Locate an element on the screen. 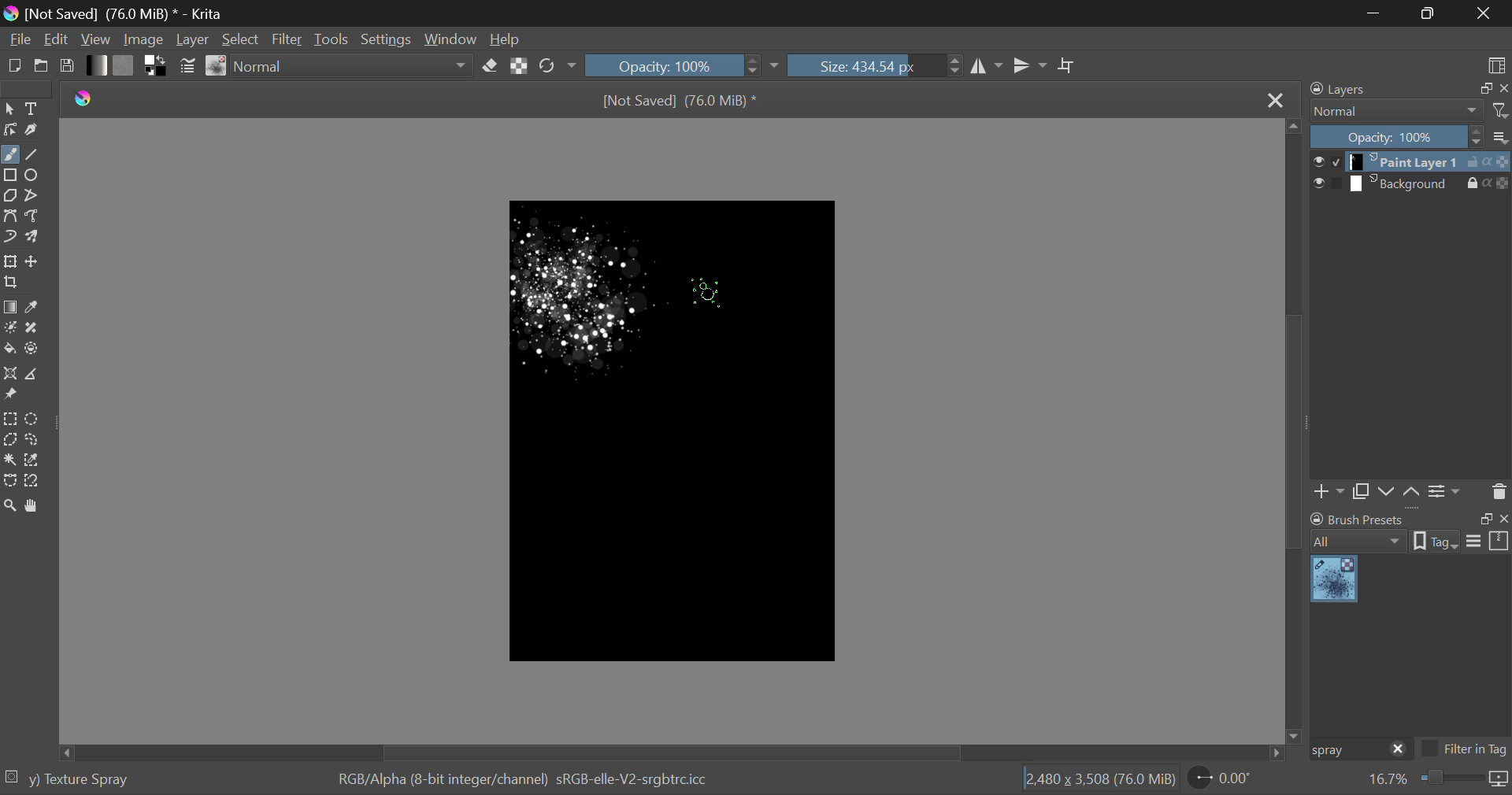 This screenshot has width=1512, height=795. Colorize Mask Tool is located at coordinates (10, 329).